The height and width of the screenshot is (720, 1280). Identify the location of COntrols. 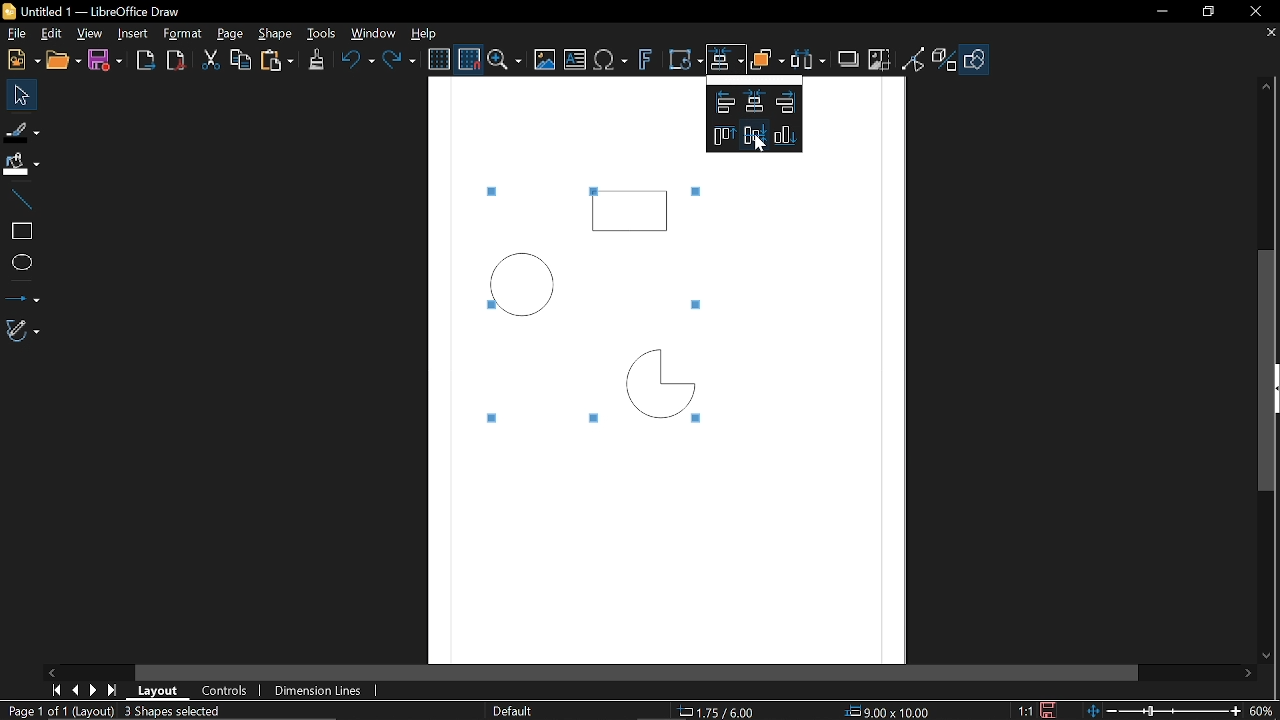
(230, 691).